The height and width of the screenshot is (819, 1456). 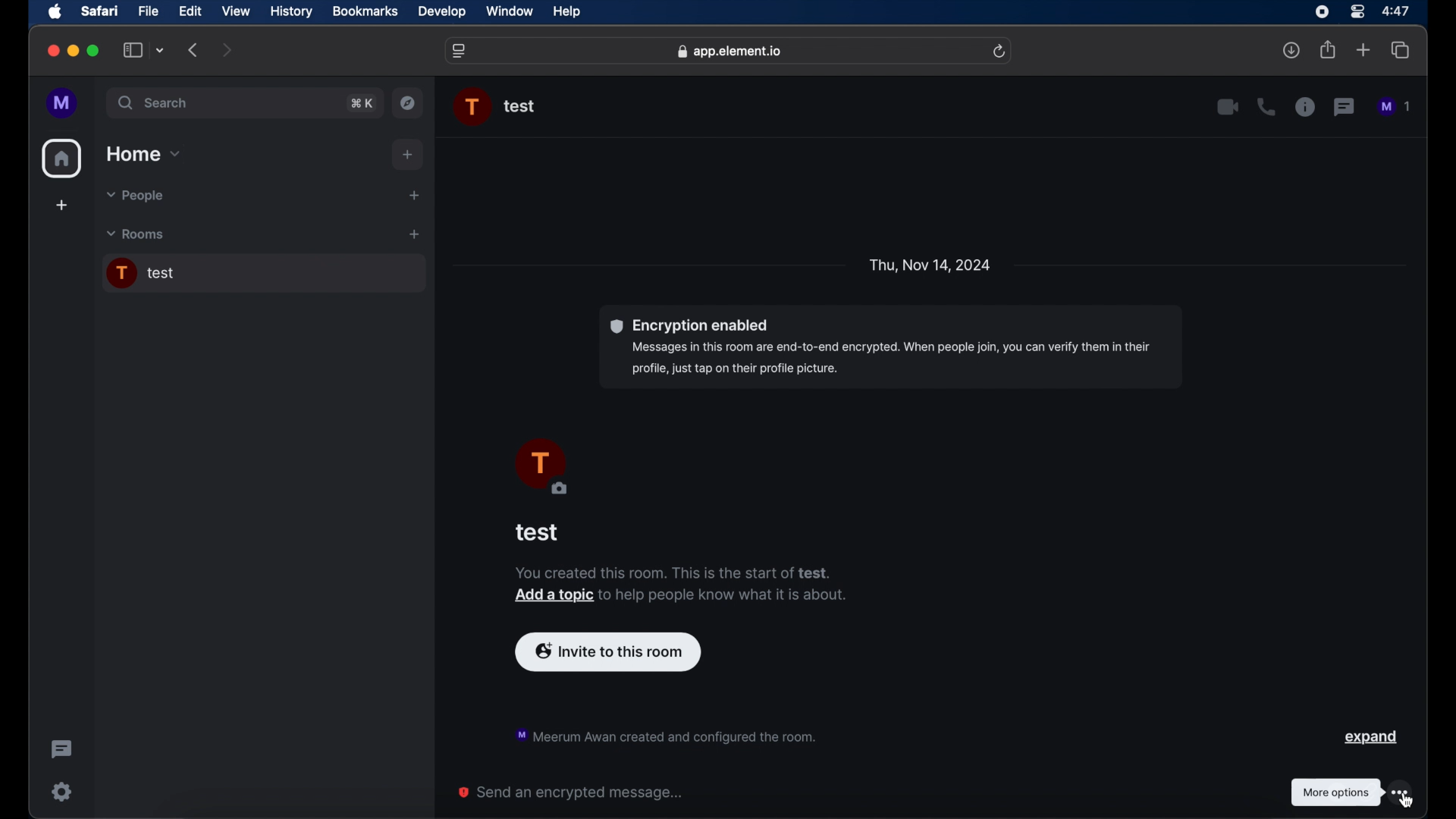 I want to click on tooltip, so click(x=1334, y=792).